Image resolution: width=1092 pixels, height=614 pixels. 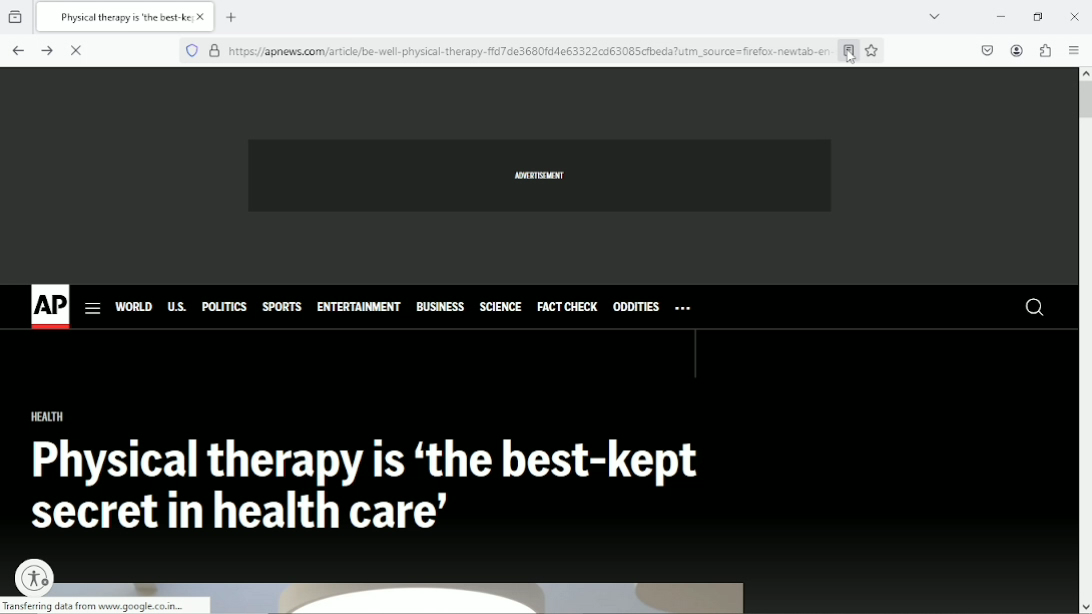 I want to click on save to pocket, so click(x=986, y=50).